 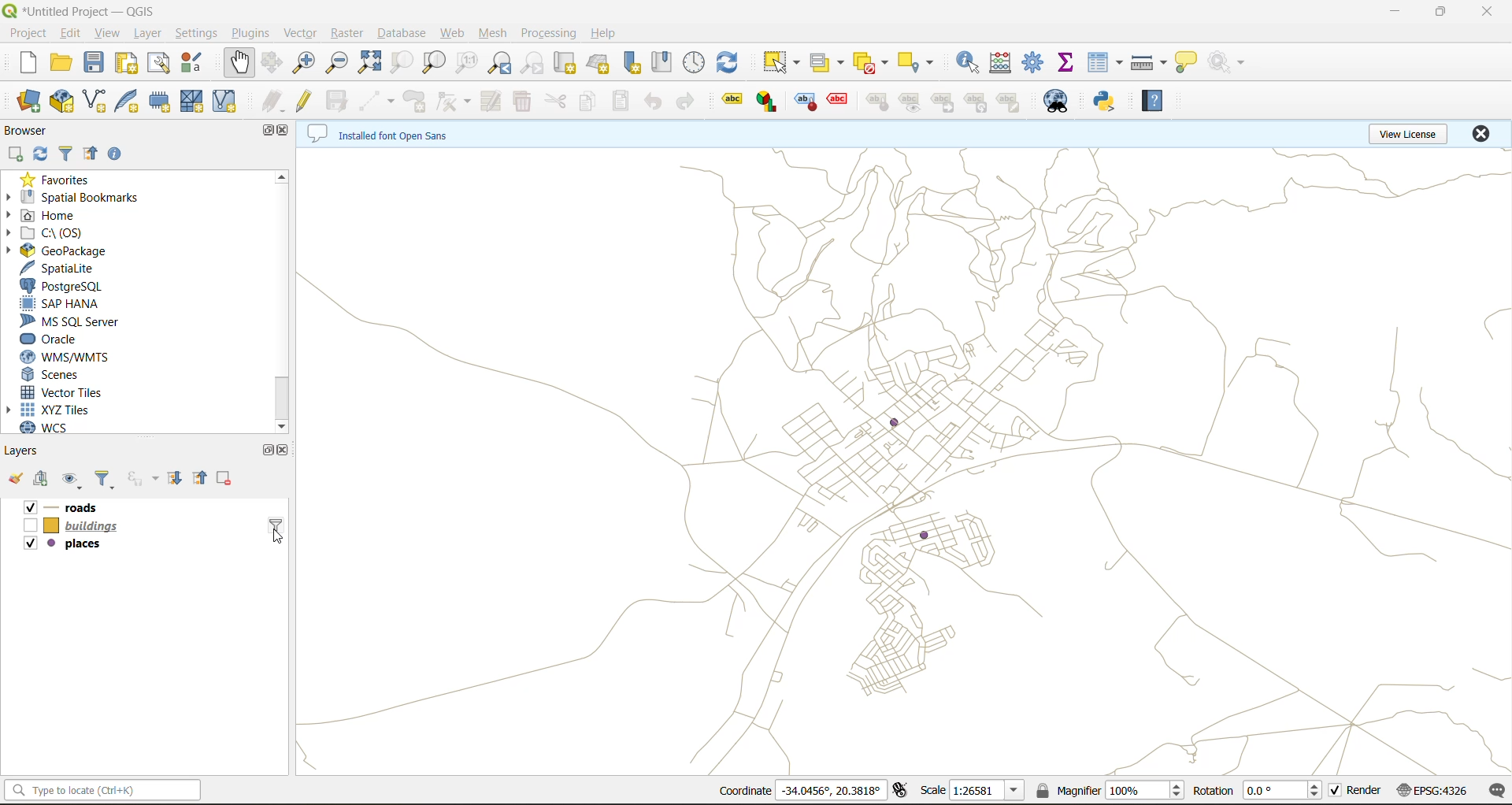 What do you see at coordinates (201, 477) in the screenshot?
I see `collapse all` at bounding box center [201, 477].